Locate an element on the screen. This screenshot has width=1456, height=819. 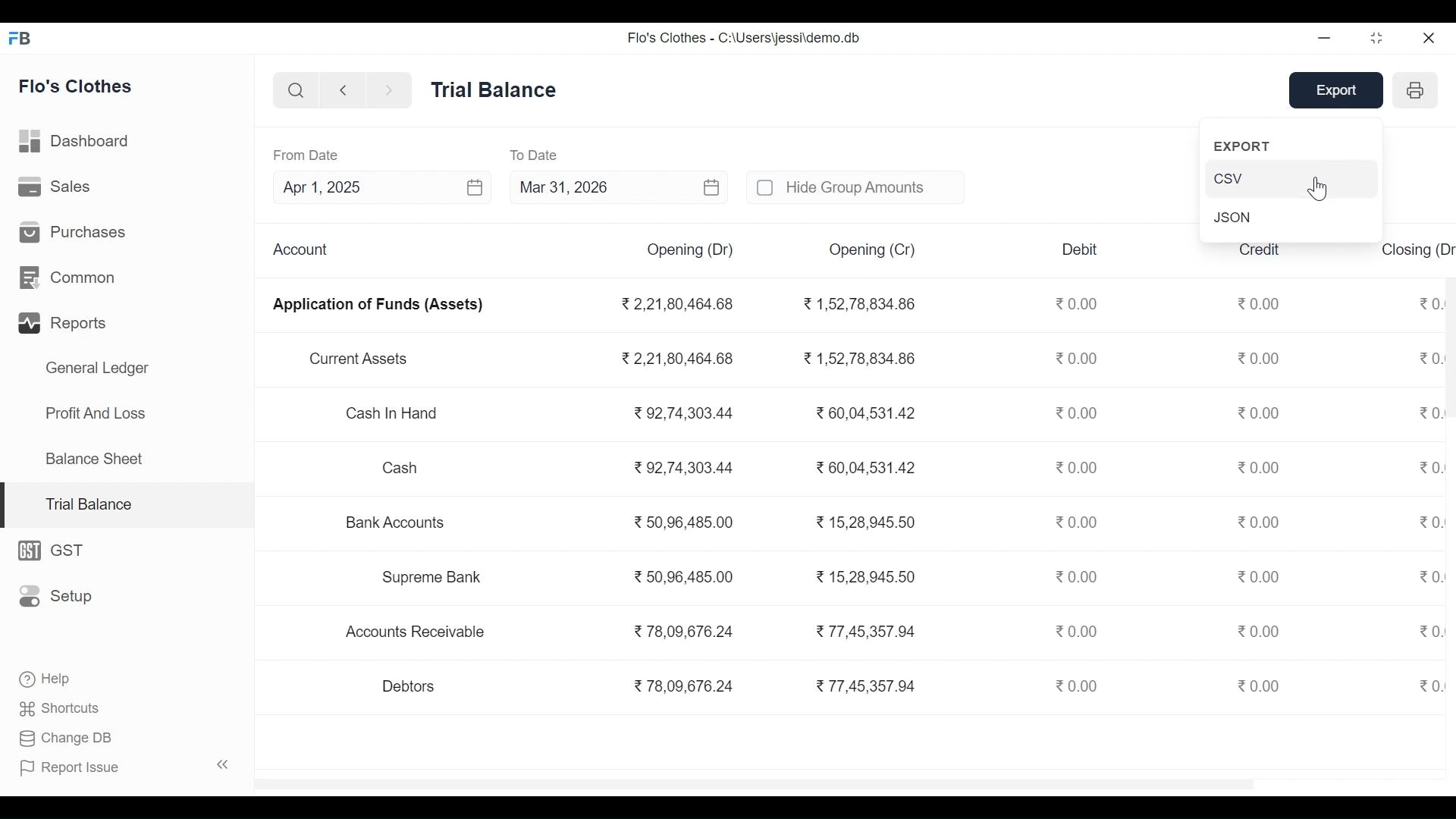
scrollbar is located at coordinates (759, 782).